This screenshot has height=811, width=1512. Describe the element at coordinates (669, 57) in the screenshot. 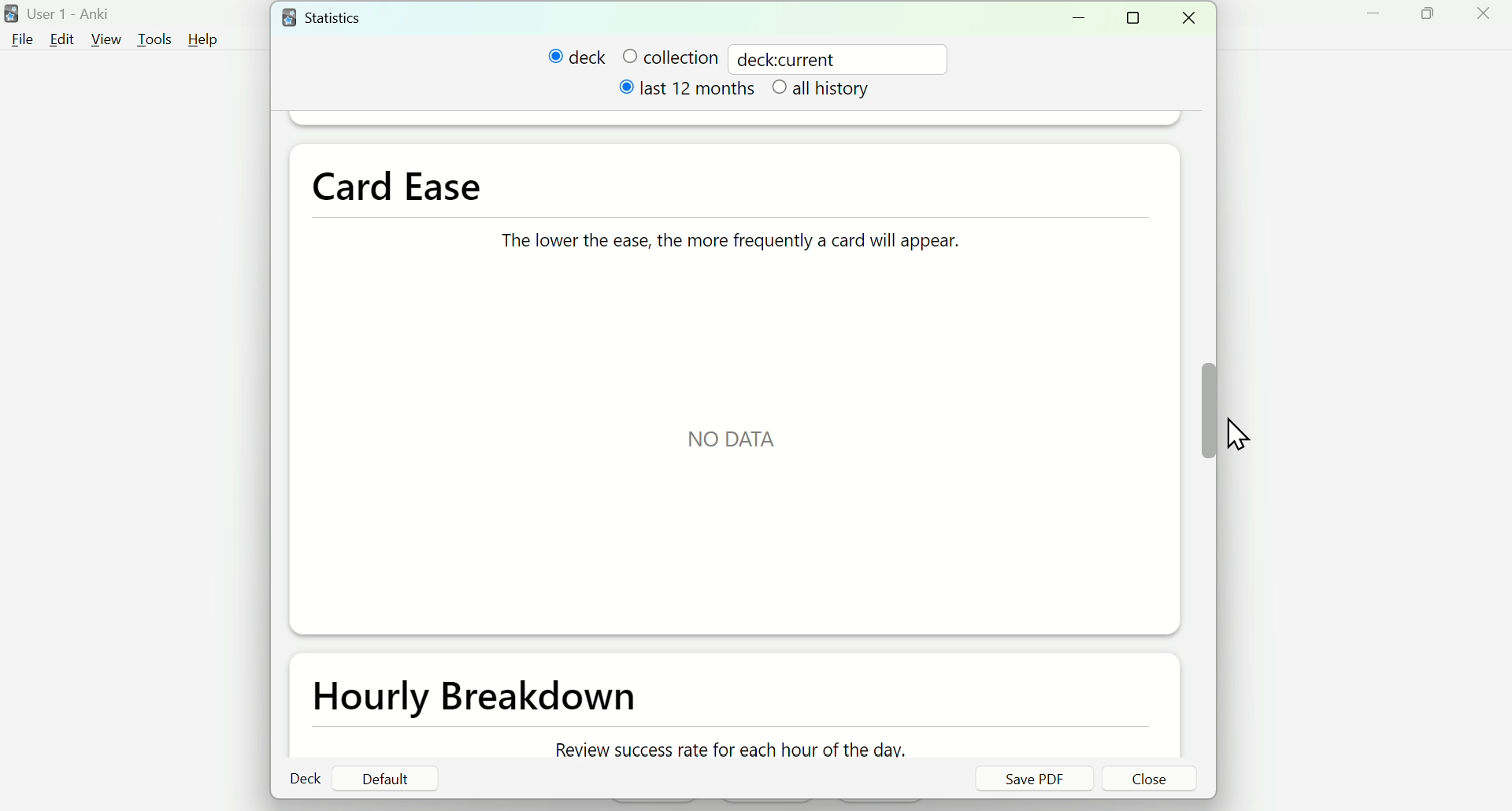

I see `collection` at that location.